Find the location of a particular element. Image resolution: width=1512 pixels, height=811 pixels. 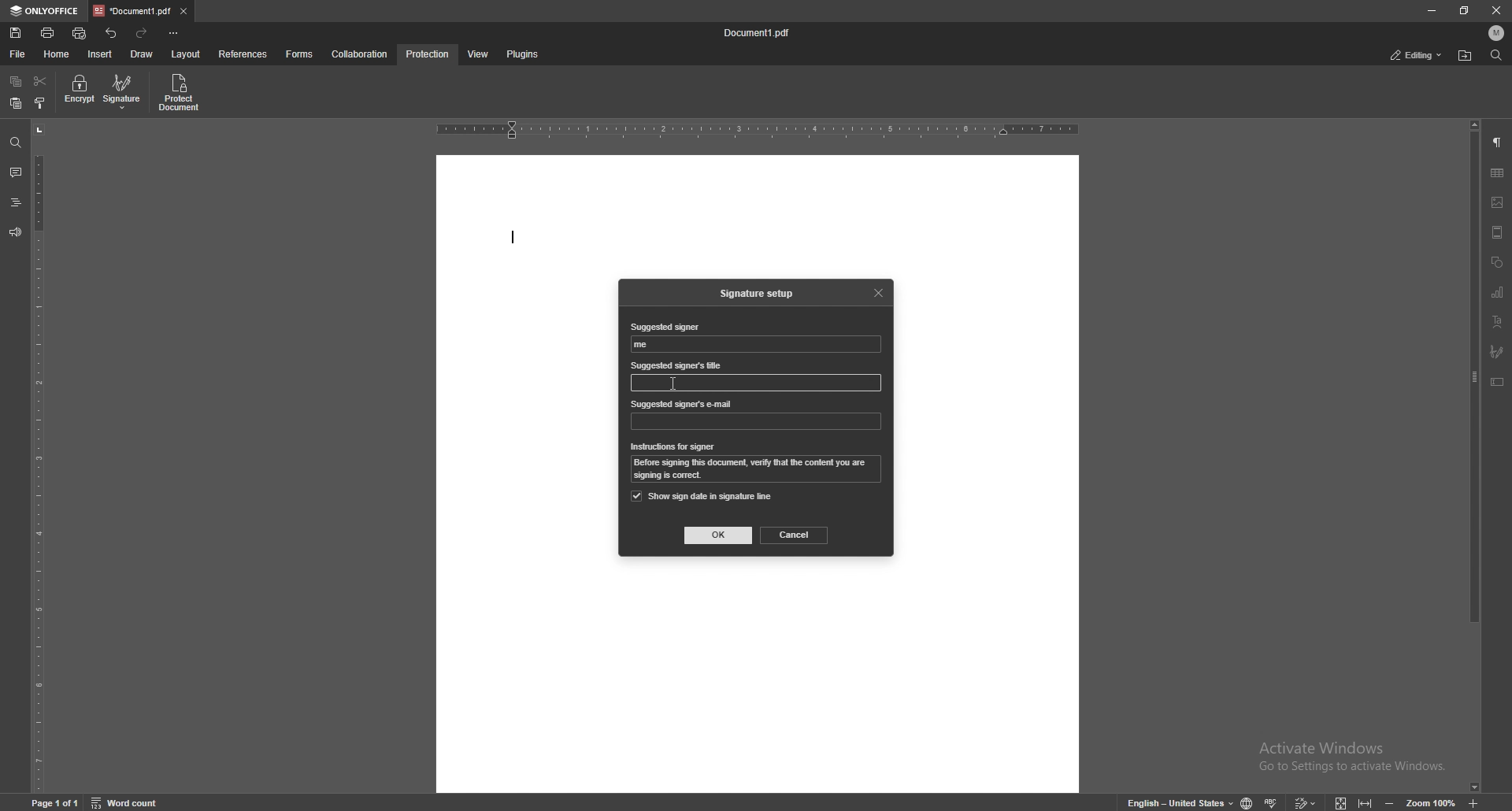

instruction is located at coordinates (758, 470).